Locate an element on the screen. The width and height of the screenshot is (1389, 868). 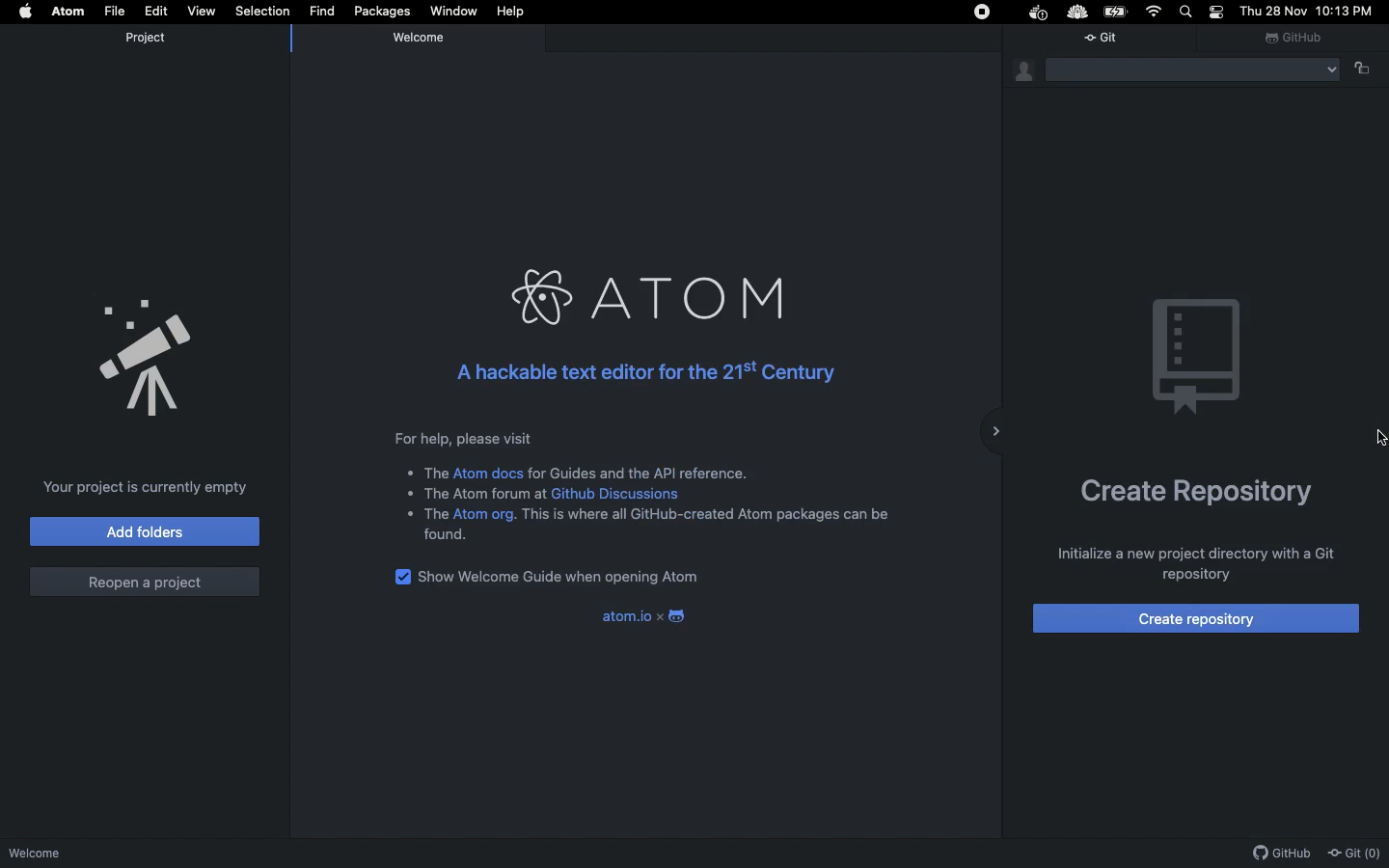
Add folders is located at coordinates (144, 531).